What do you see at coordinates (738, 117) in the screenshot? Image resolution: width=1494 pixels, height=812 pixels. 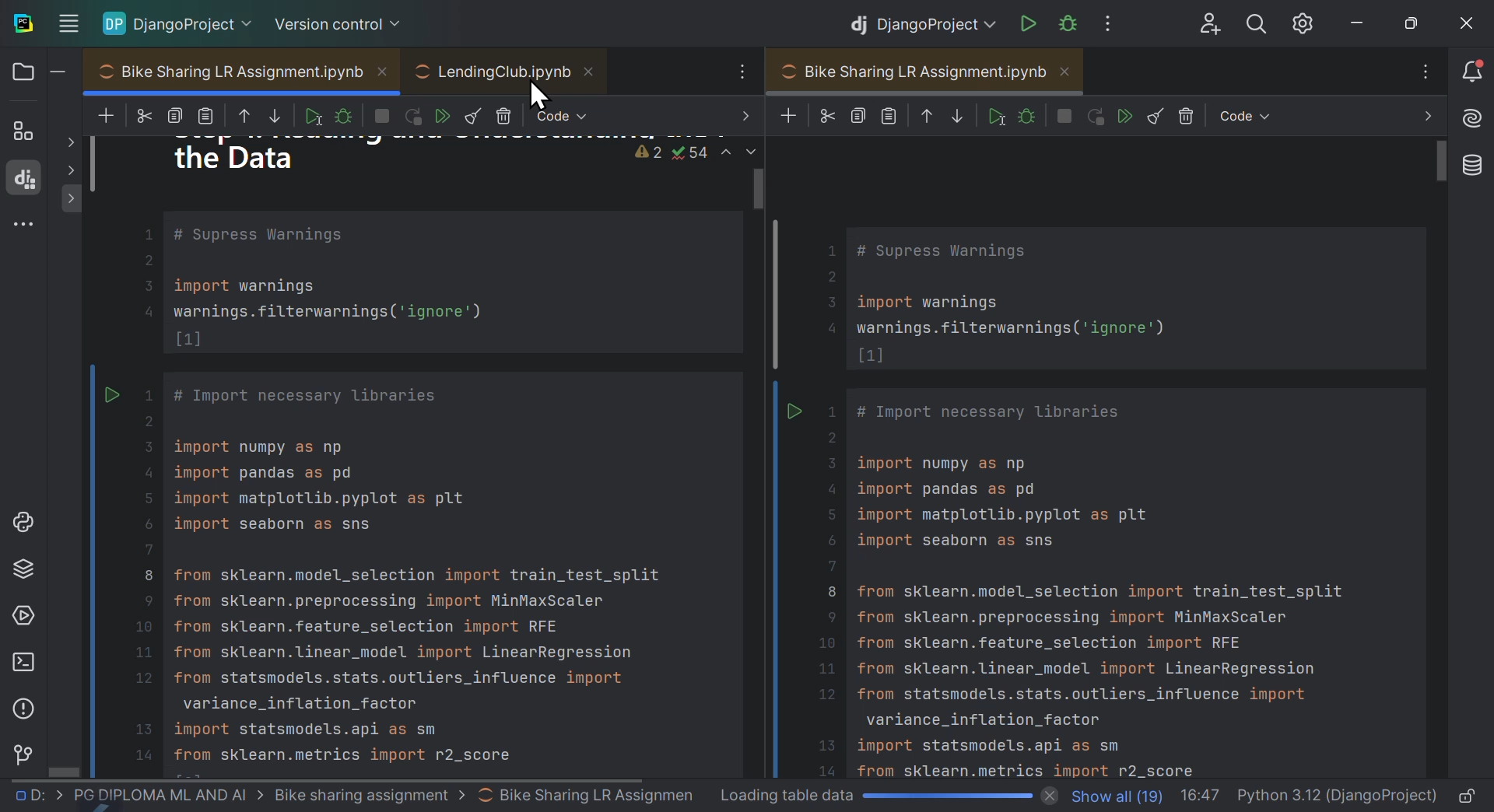 I see `next` at bounding box center [738, 117].